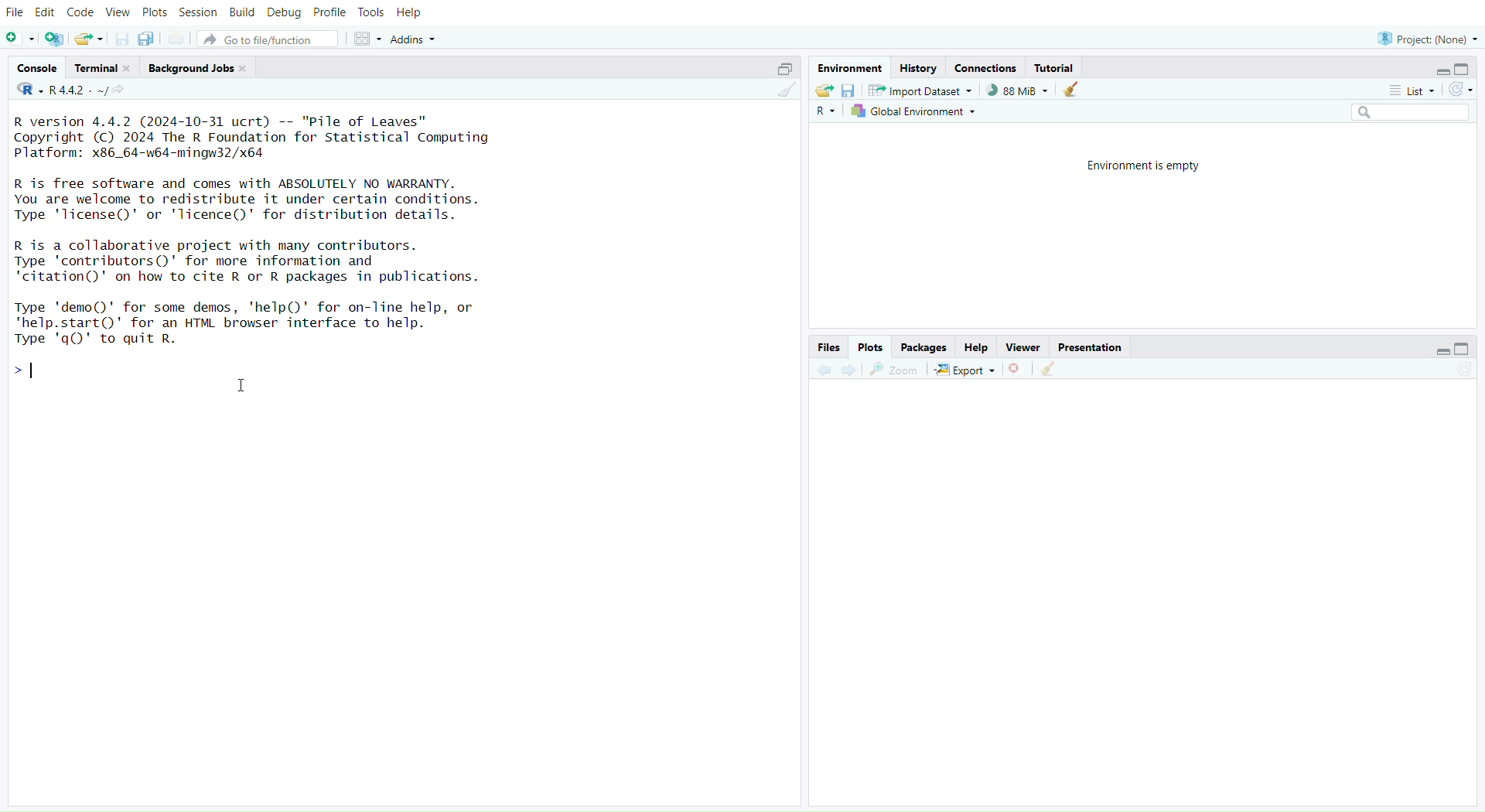 The width and height of the screenshot is (1485, 812). What do you see at coordinates (1458, 374) in the screenshot?
I see `refresh current plot` at bounding box center [1458, 374].